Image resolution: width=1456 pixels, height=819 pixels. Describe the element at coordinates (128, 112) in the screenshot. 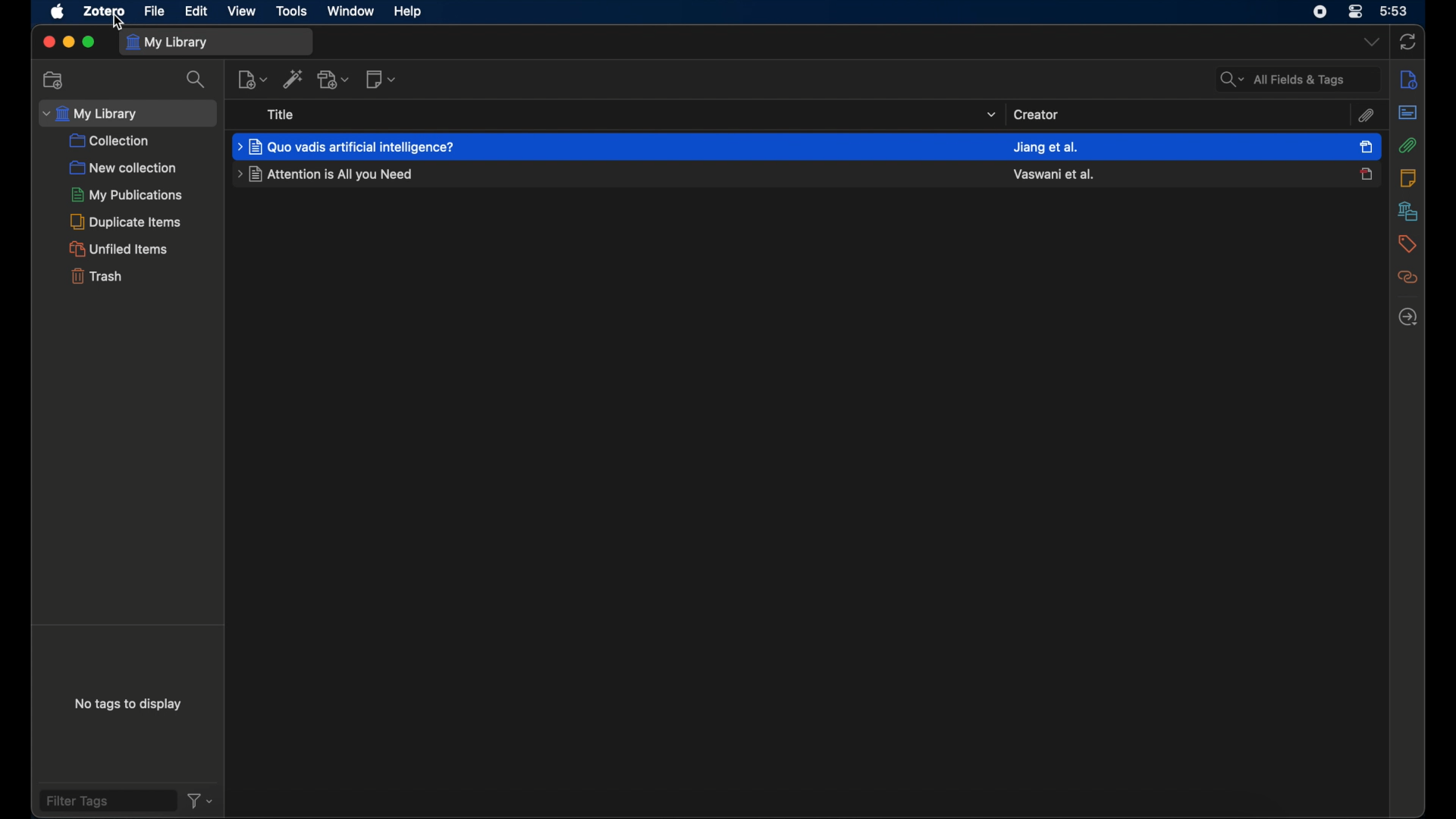

I see `my library` at that location.